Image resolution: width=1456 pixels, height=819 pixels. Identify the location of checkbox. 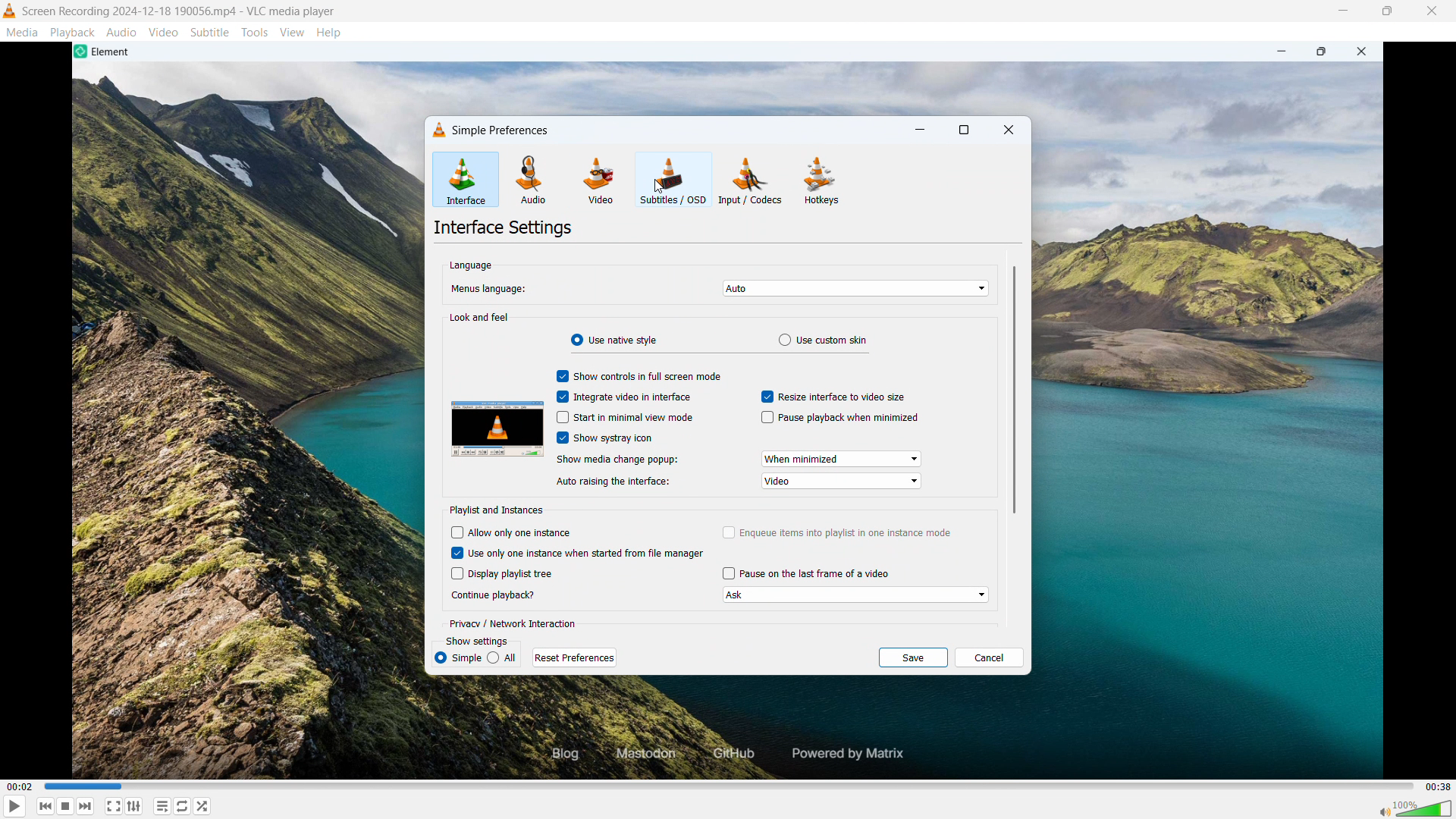
(561, 416).